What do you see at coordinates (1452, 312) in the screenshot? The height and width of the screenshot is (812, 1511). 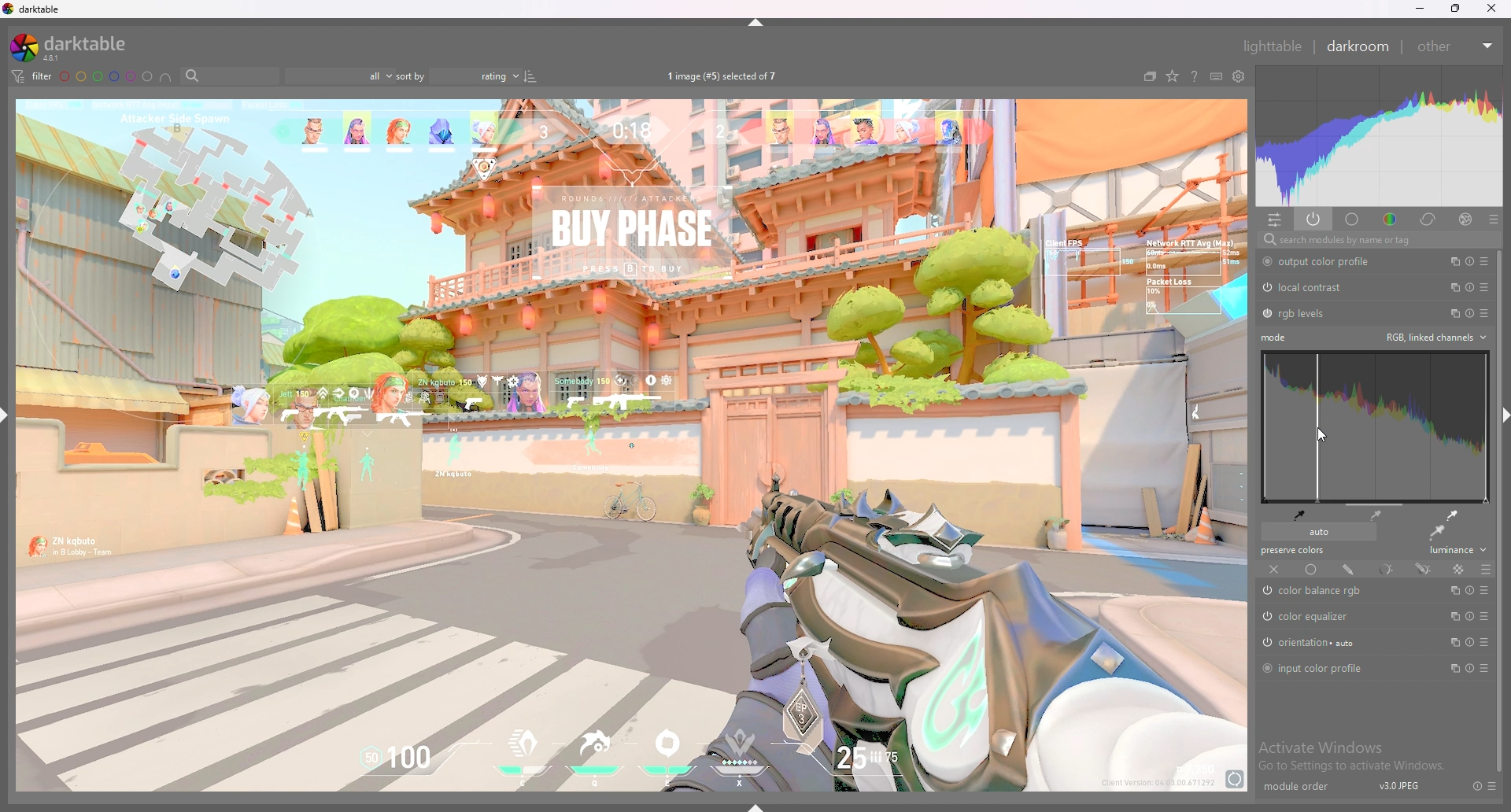 I see `multiple instances action` at bounding box center [1452, 312].